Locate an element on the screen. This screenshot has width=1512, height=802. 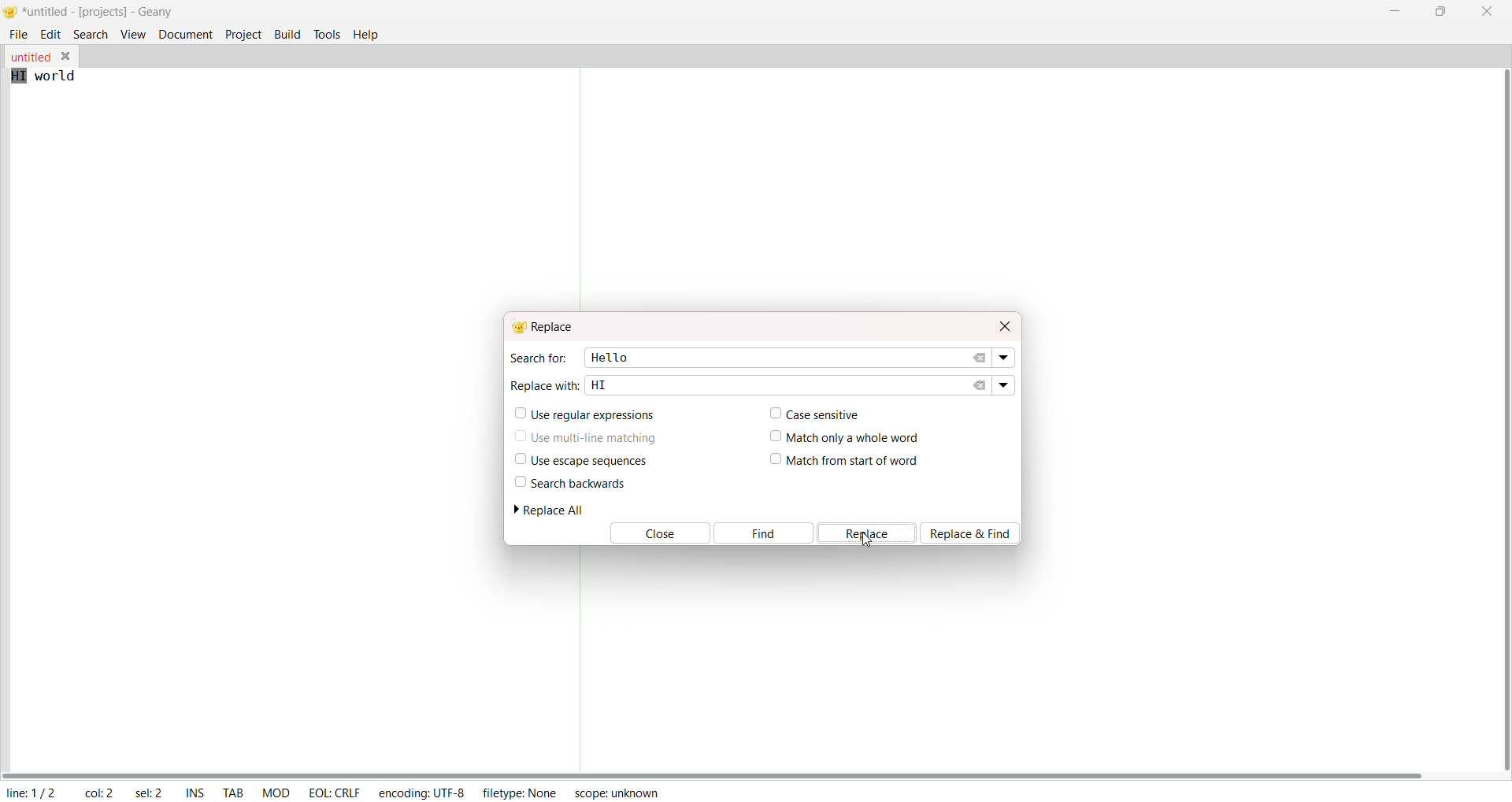
build is located at coordinates (287, 32).